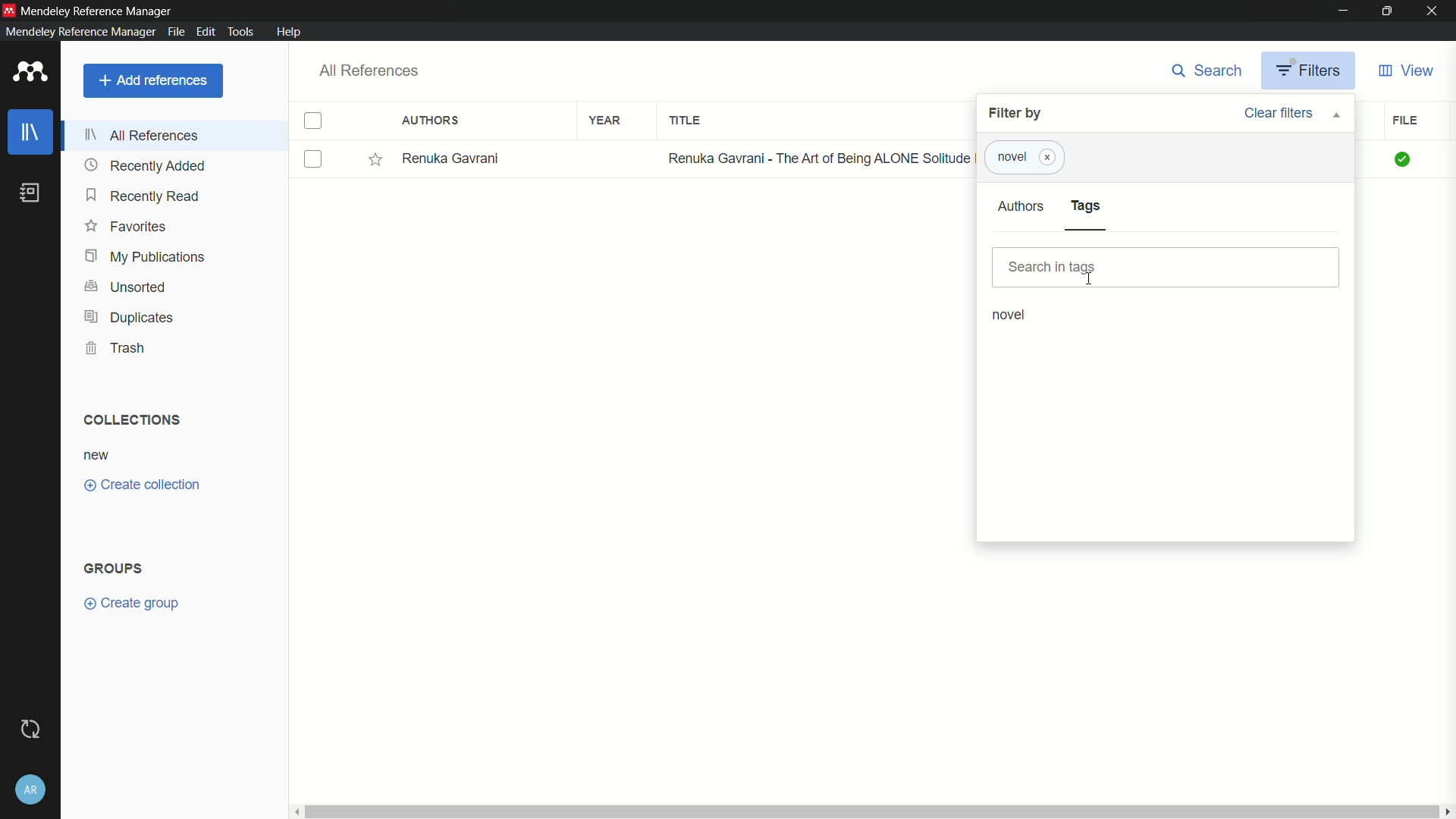 This screenshot has height=819, width=1456. What do you see at coordinates (1089, 278) in the screenshot?
I see `Text cursor` at bounding box center [1089, 278].